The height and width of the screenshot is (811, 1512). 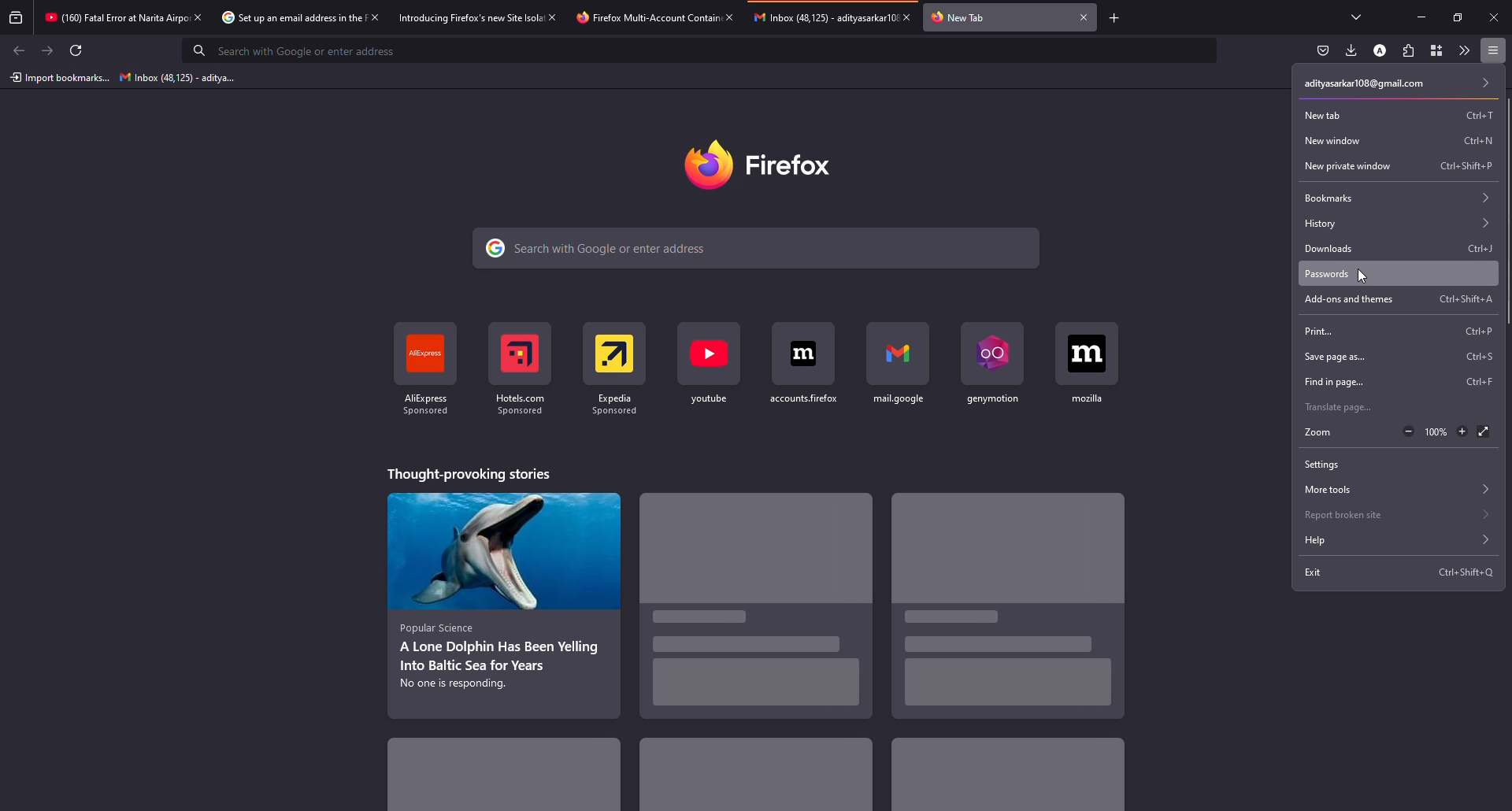 What do you see at coordinates (1432, 50) in the screenshot?
I see `container` at bounding box center [1432, 50].